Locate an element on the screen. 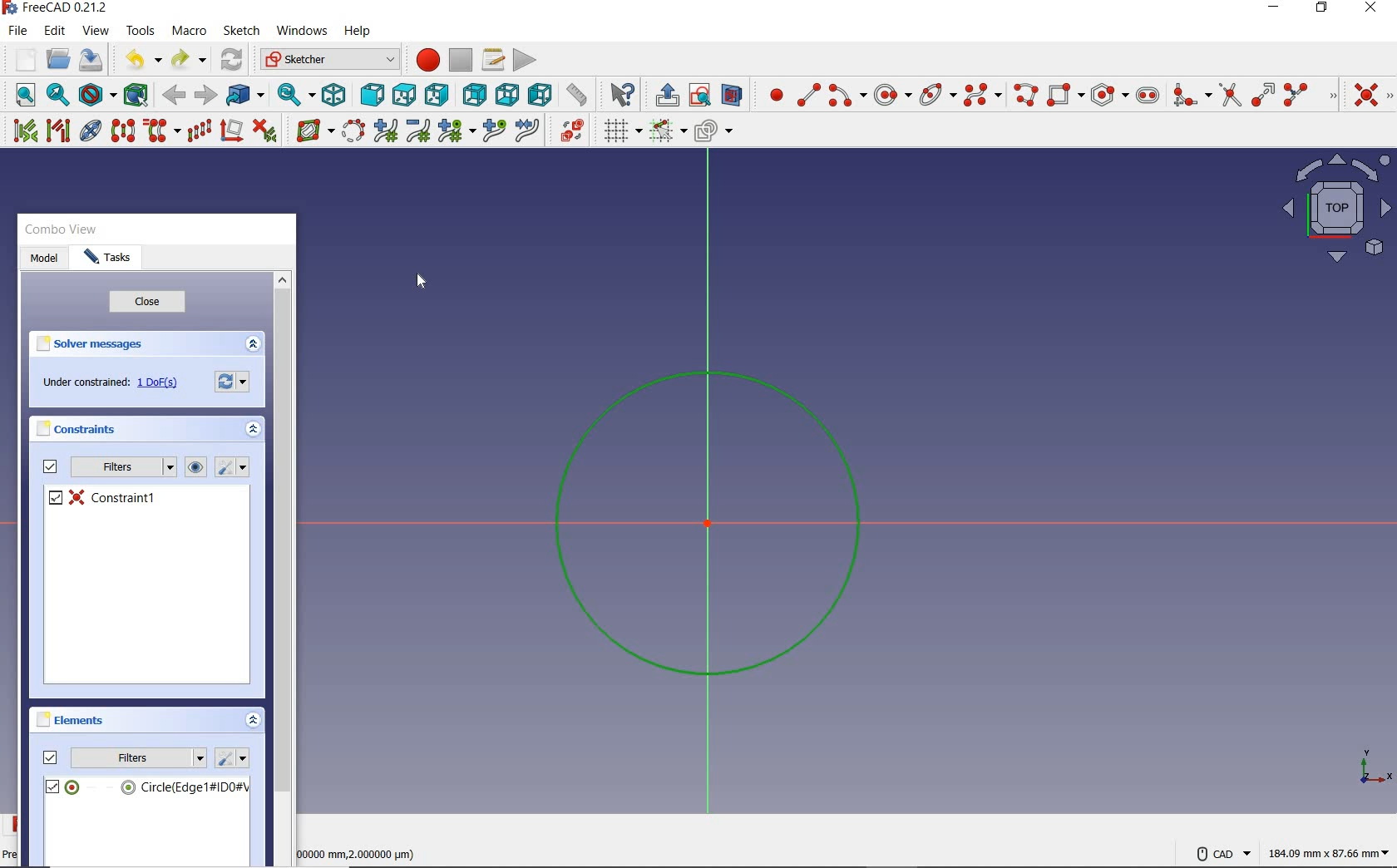 The height and width of the screenshot is (868, 1397). measurement is located at coordinates (576, 96).